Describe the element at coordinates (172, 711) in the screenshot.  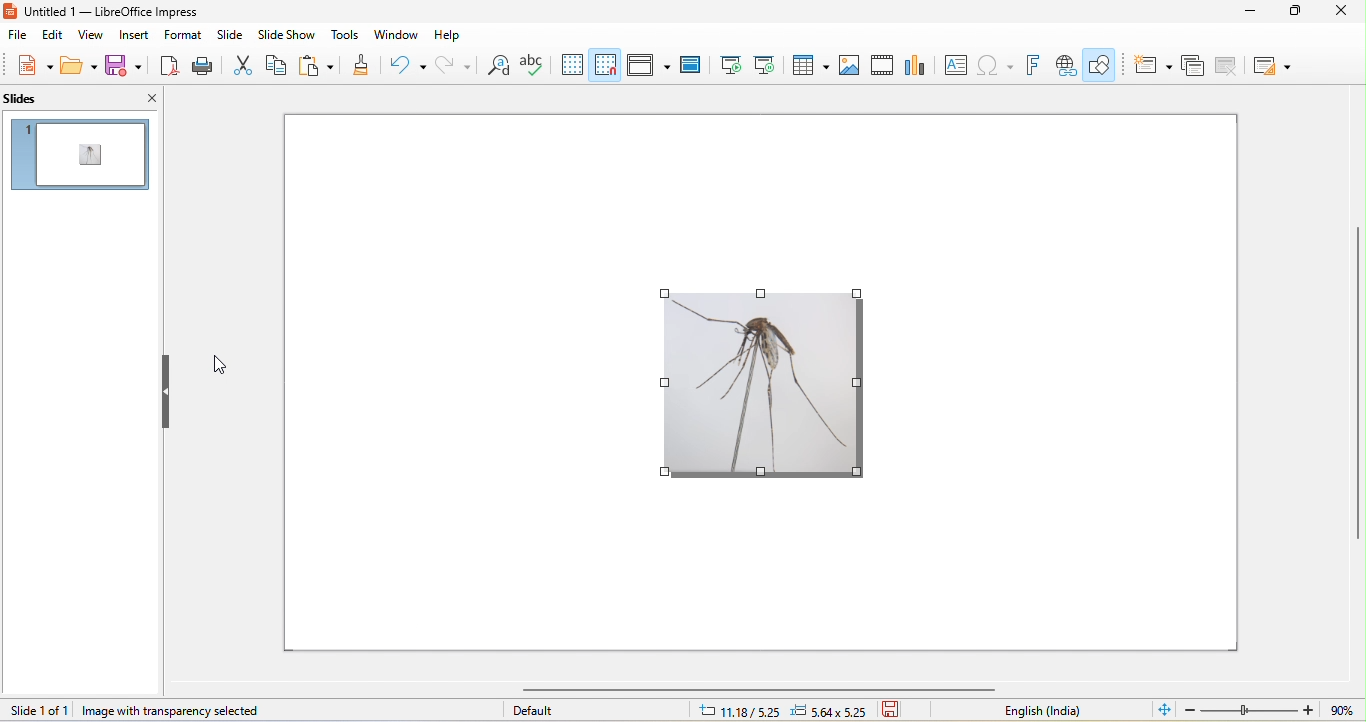
I see `image with transparency selected` at that location.